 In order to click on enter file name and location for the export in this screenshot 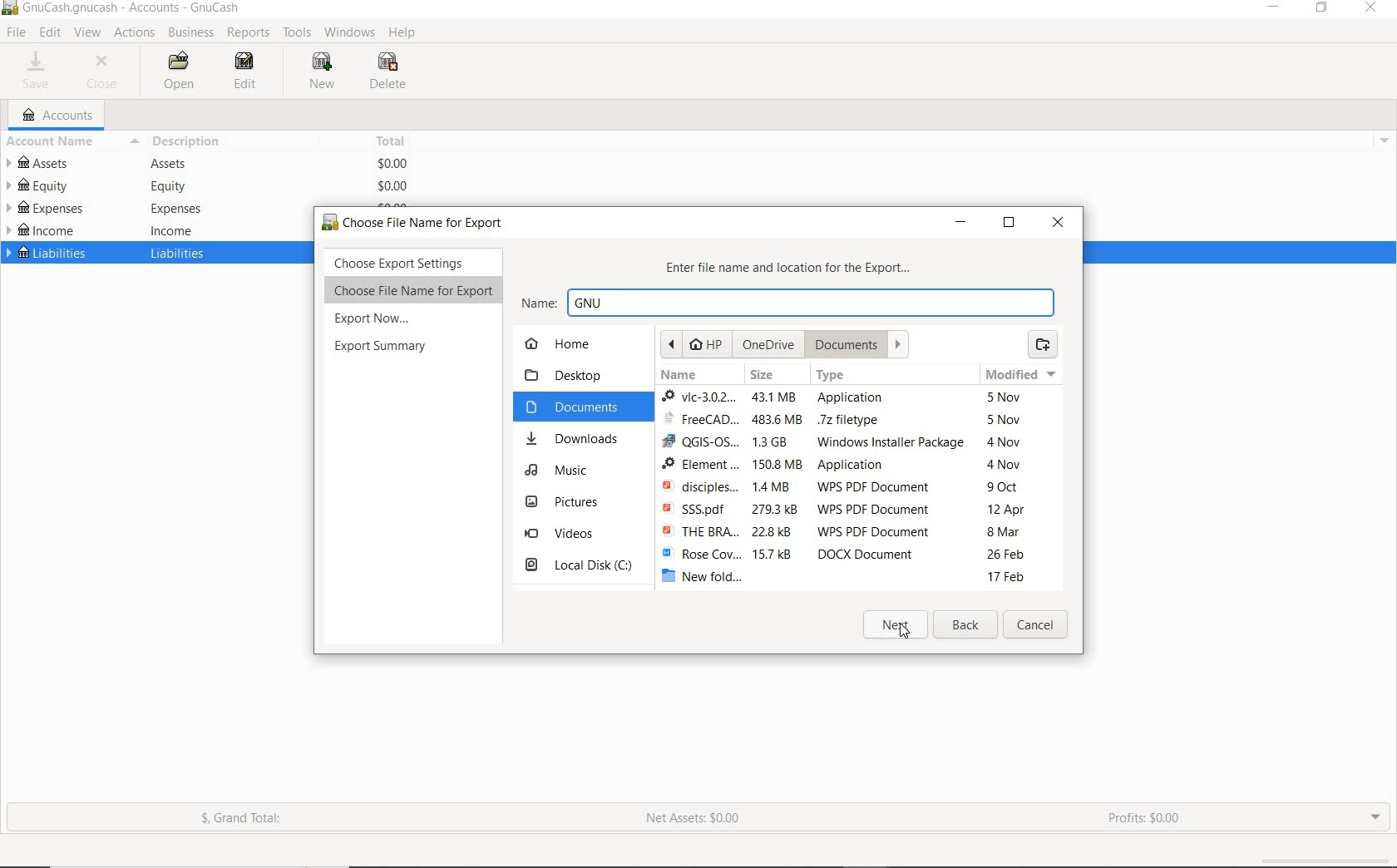, I will do `click(796, 267)`.